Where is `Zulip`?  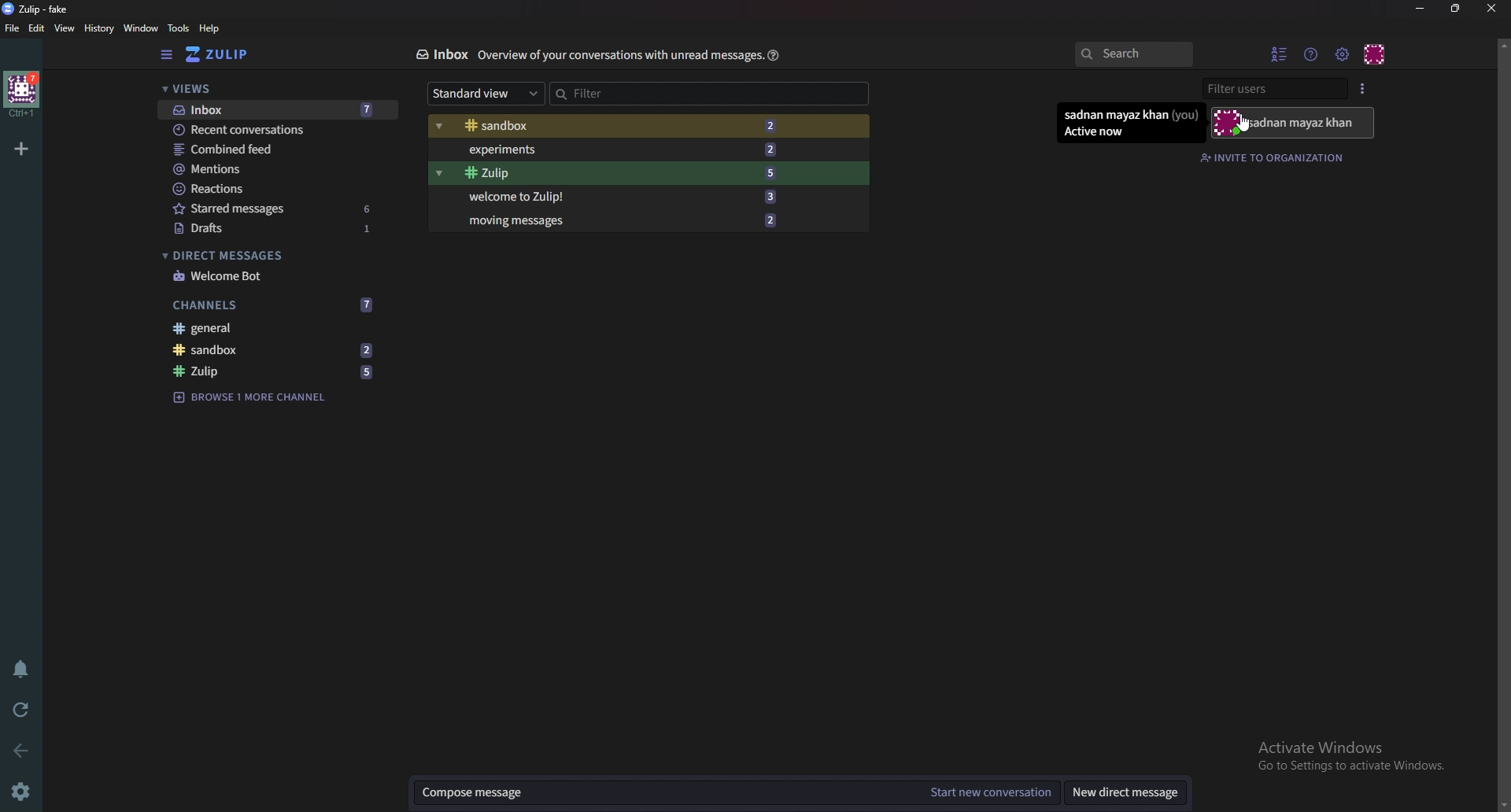
Zulip is located at coordinates (616, 173).